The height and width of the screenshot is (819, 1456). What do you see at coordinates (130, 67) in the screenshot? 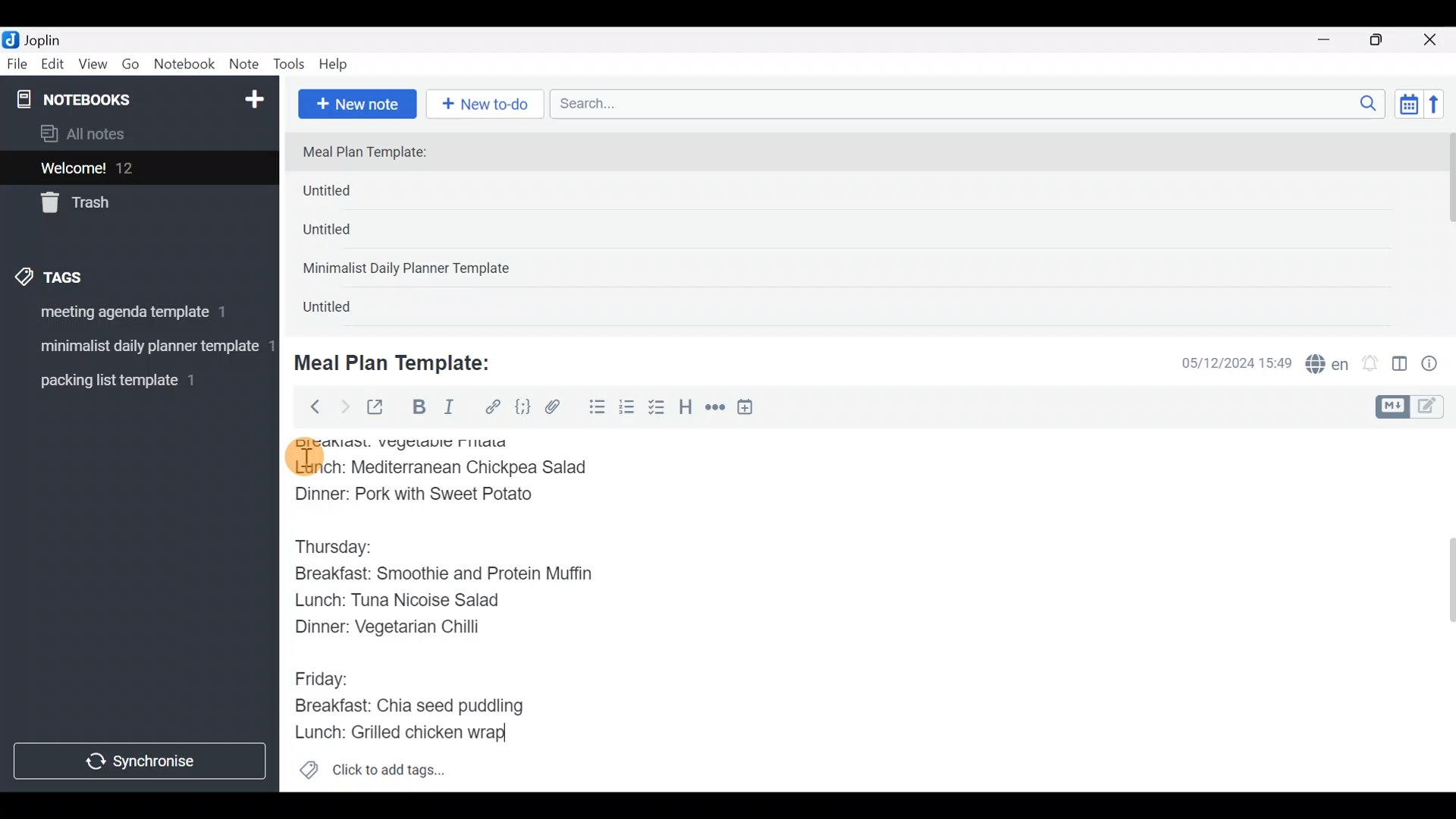
I see `Go` at bounding box center [130, 67].